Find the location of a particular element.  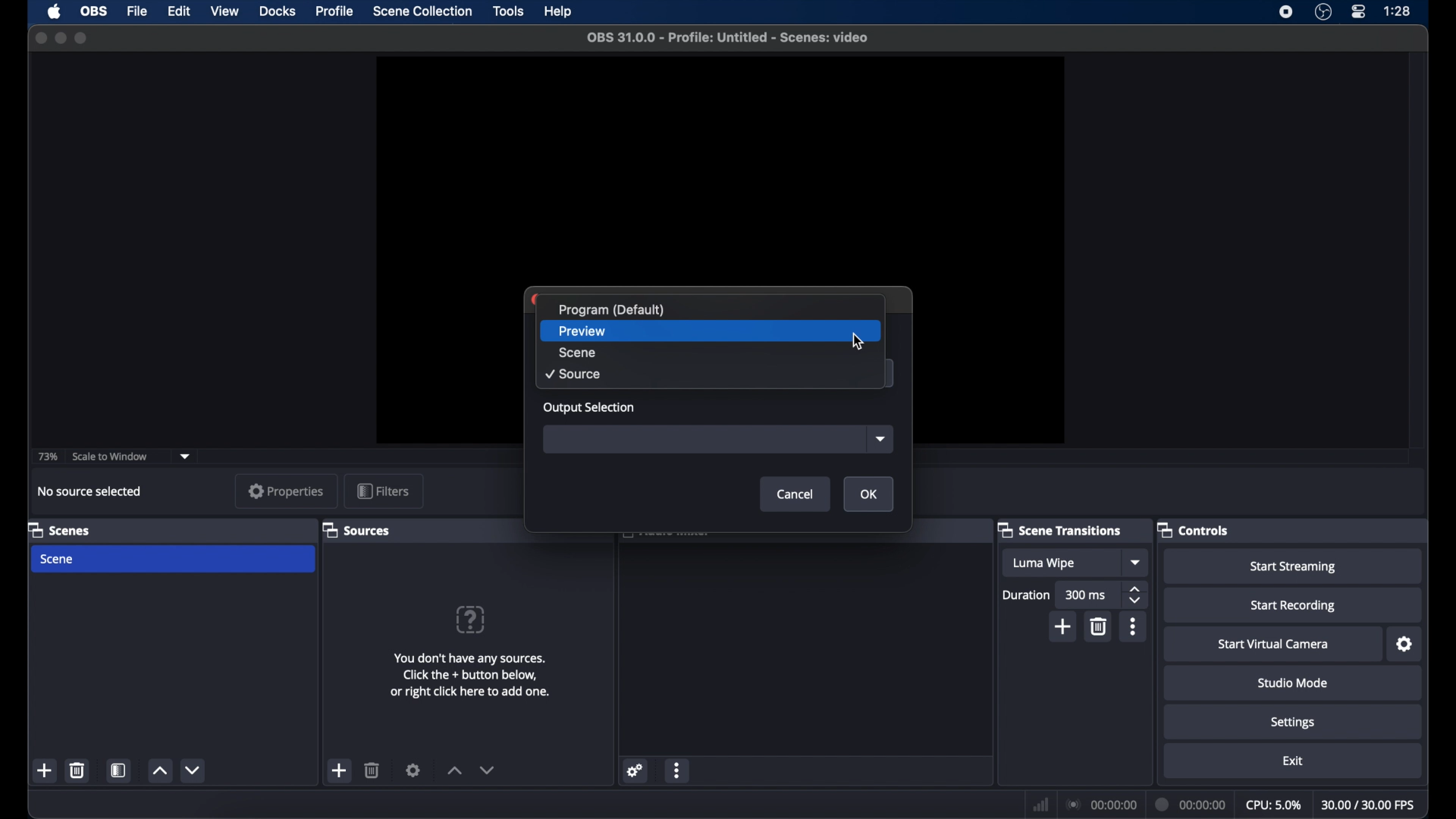

luma wipe is located at coordinates (1062, 563).